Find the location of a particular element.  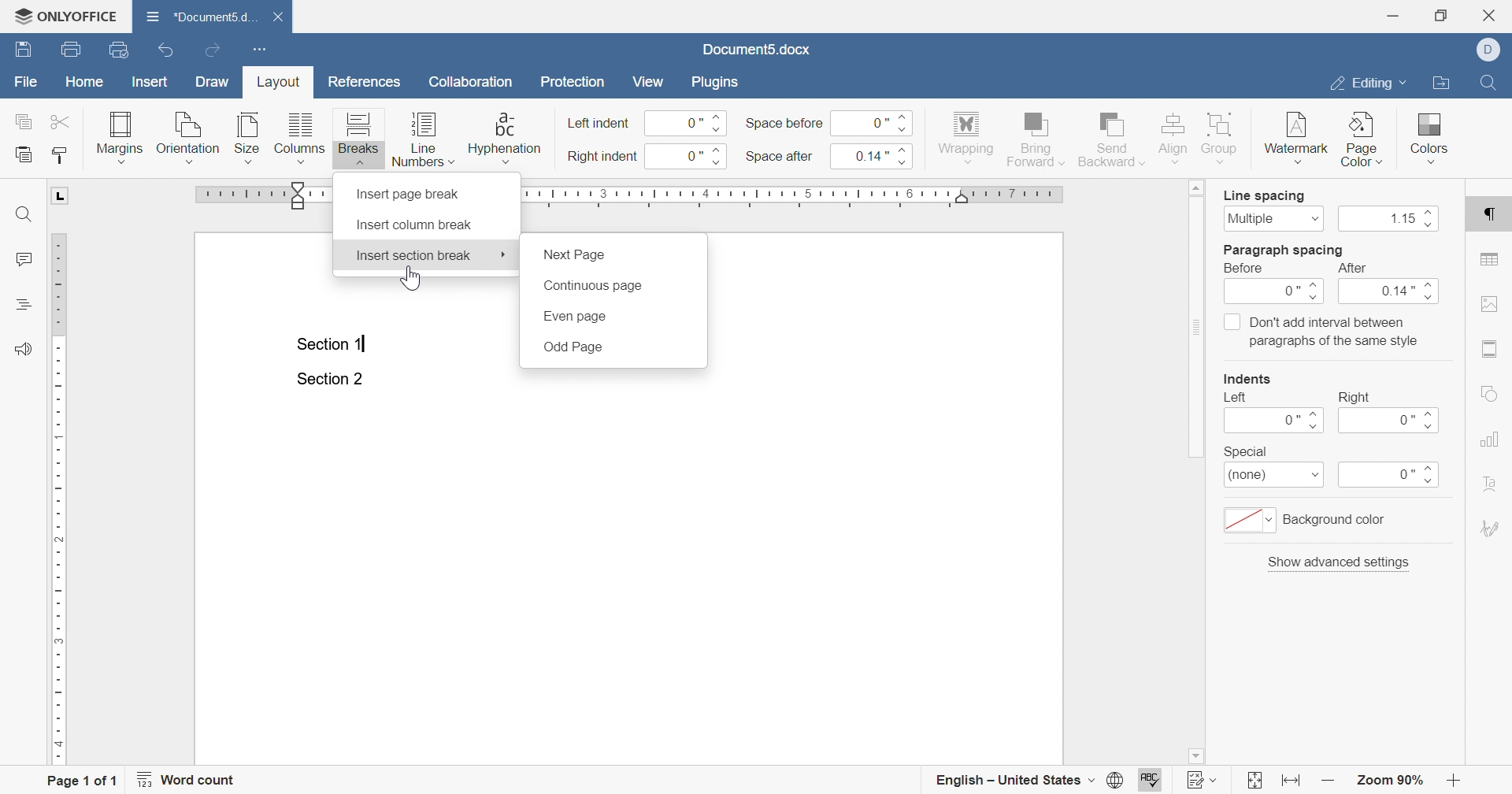

image settings is located at coordinates (1488, 303).